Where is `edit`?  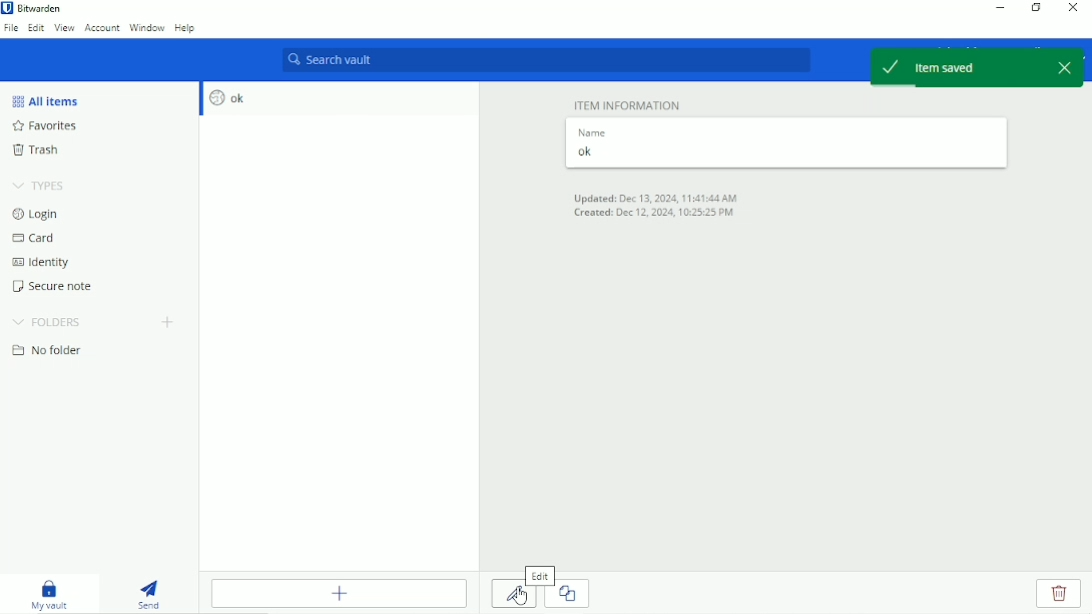
edit is located at coordinates (540, 576).